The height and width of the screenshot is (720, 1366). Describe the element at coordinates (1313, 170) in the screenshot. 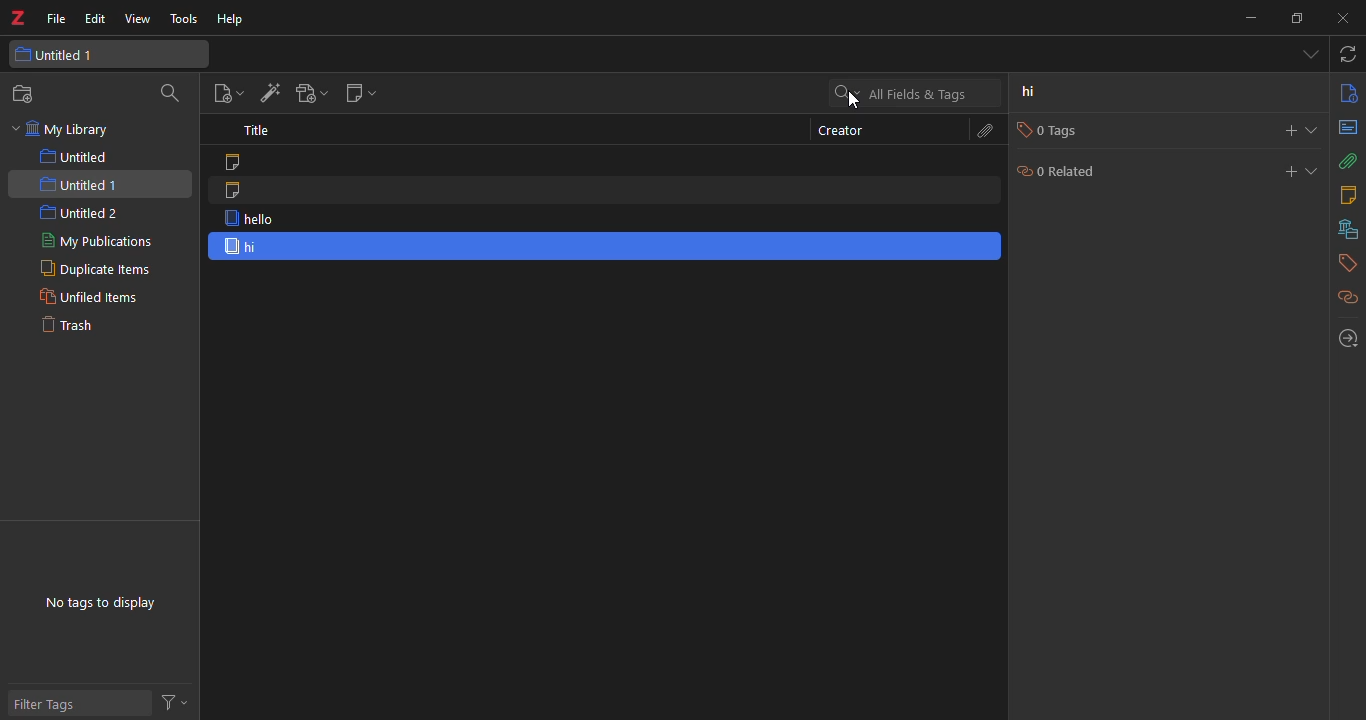

I see `expand` at that location.